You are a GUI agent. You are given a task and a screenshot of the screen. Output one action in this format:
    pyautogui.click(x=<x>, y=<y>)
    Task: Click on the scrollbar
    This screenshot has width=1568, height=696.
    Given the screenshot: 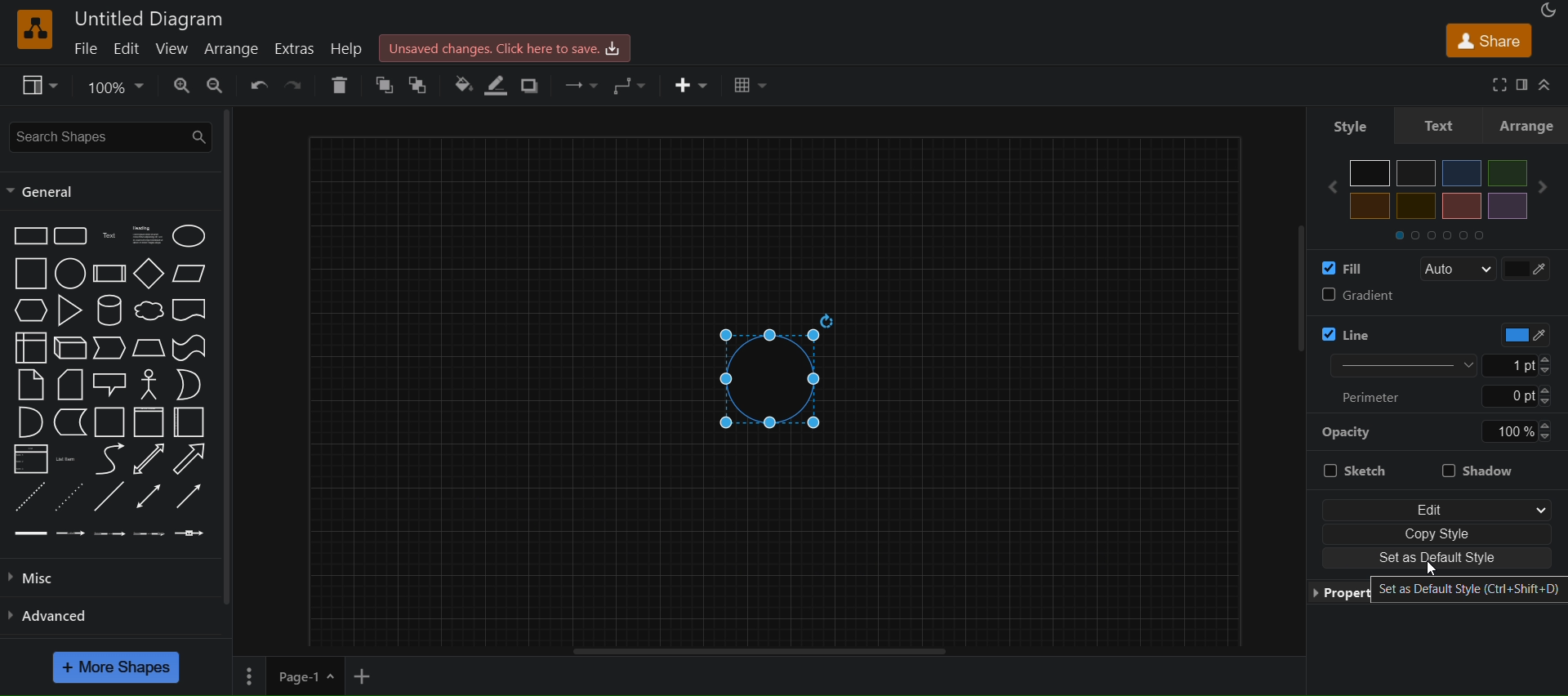 What is the action you would take?
    pyautogui.click(x=233, y=360)
    